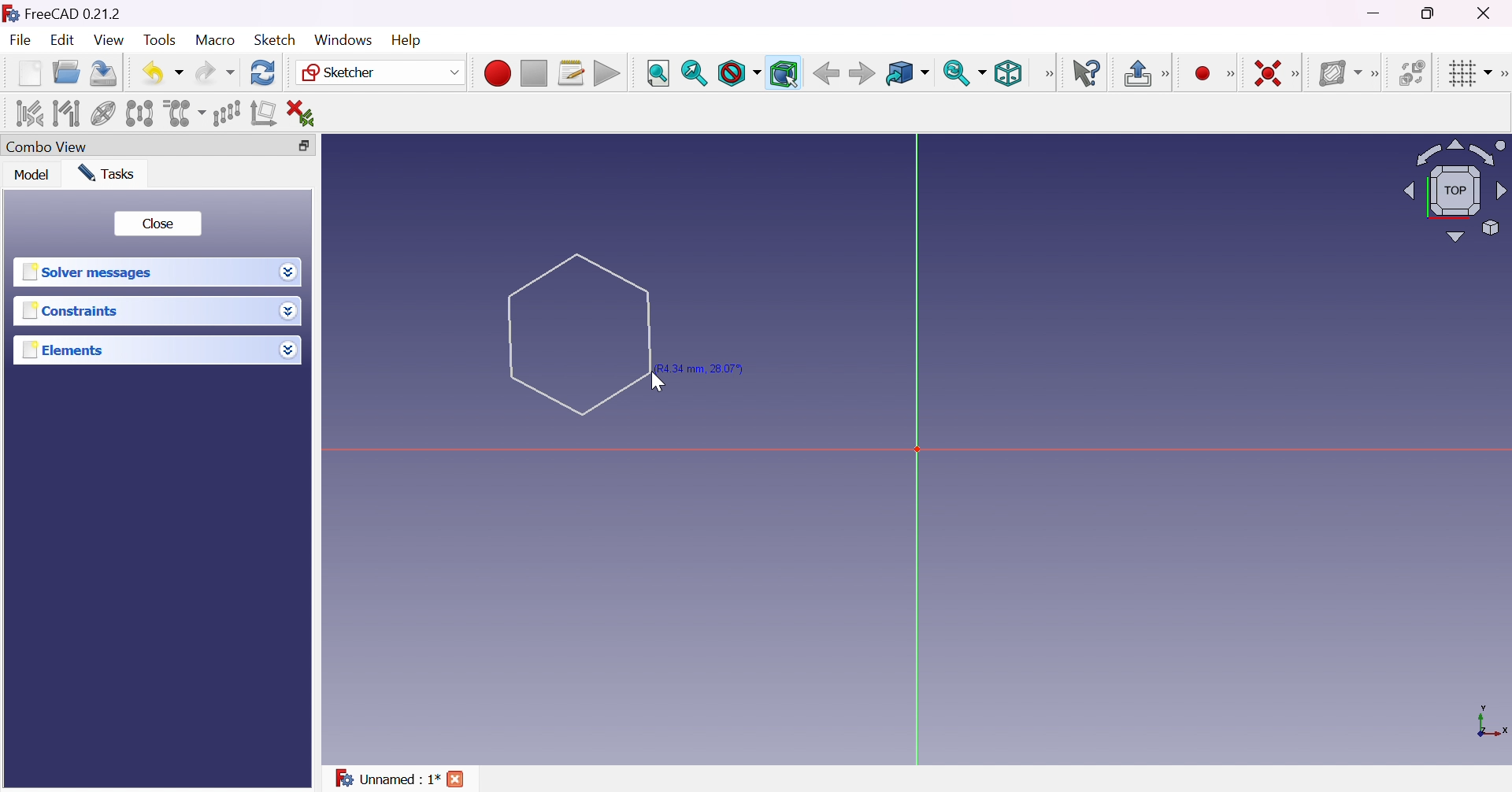  I want to click on Sketcher constraints, so click(1299, 75).